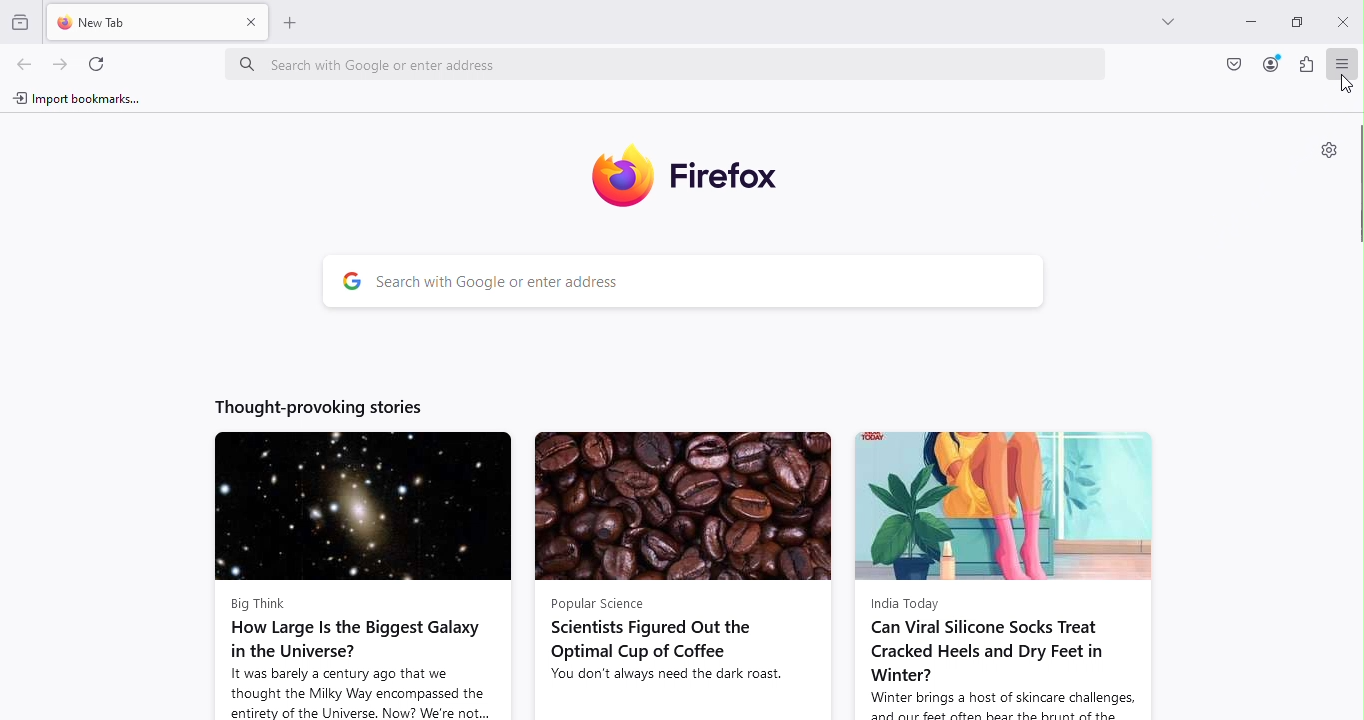  Describe the element at coordinates (1235, 64) in the screenshot. I see `Save to pocket` at that location.